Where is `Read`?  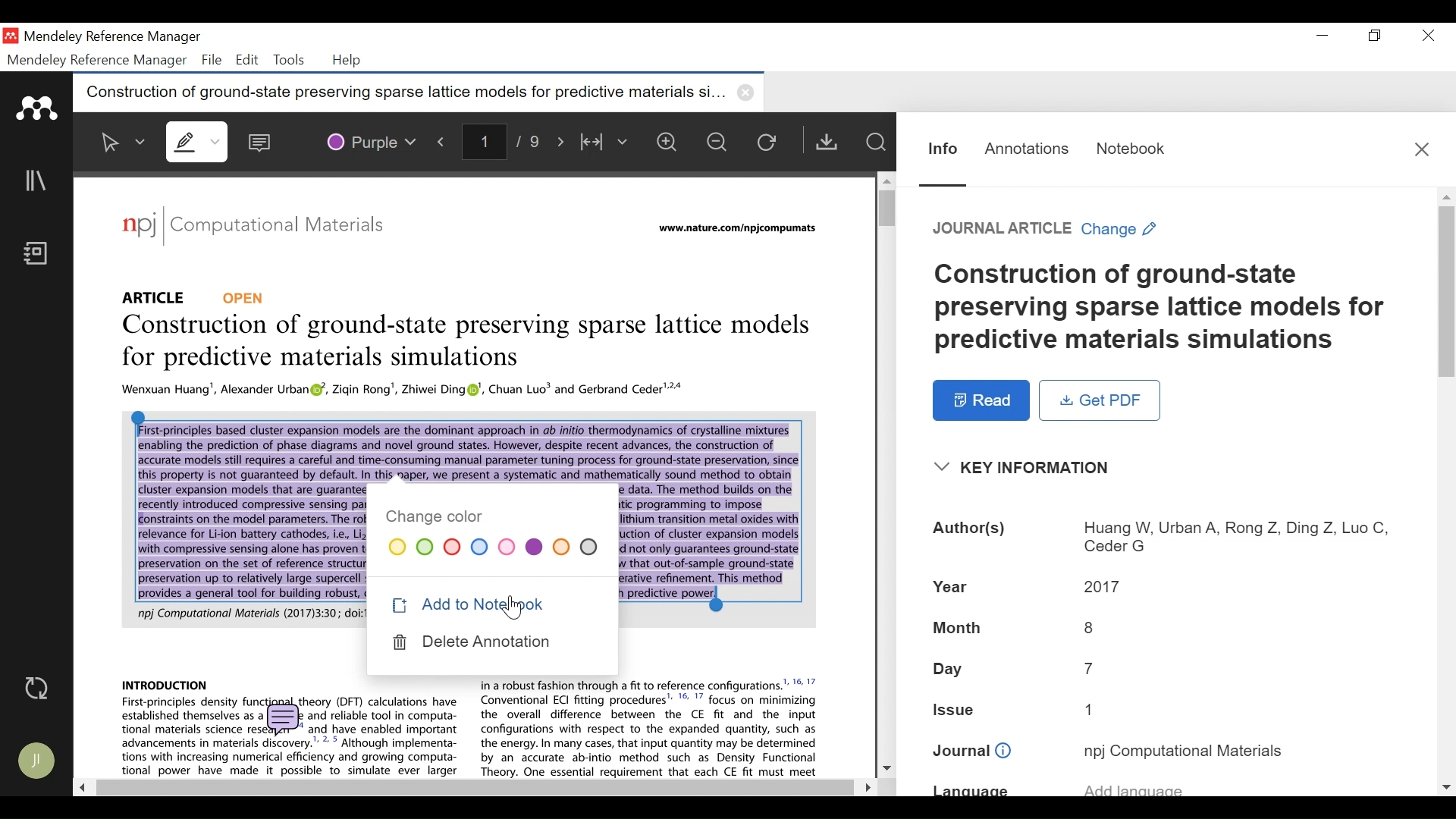 Read is located at coordinates (982, 400).